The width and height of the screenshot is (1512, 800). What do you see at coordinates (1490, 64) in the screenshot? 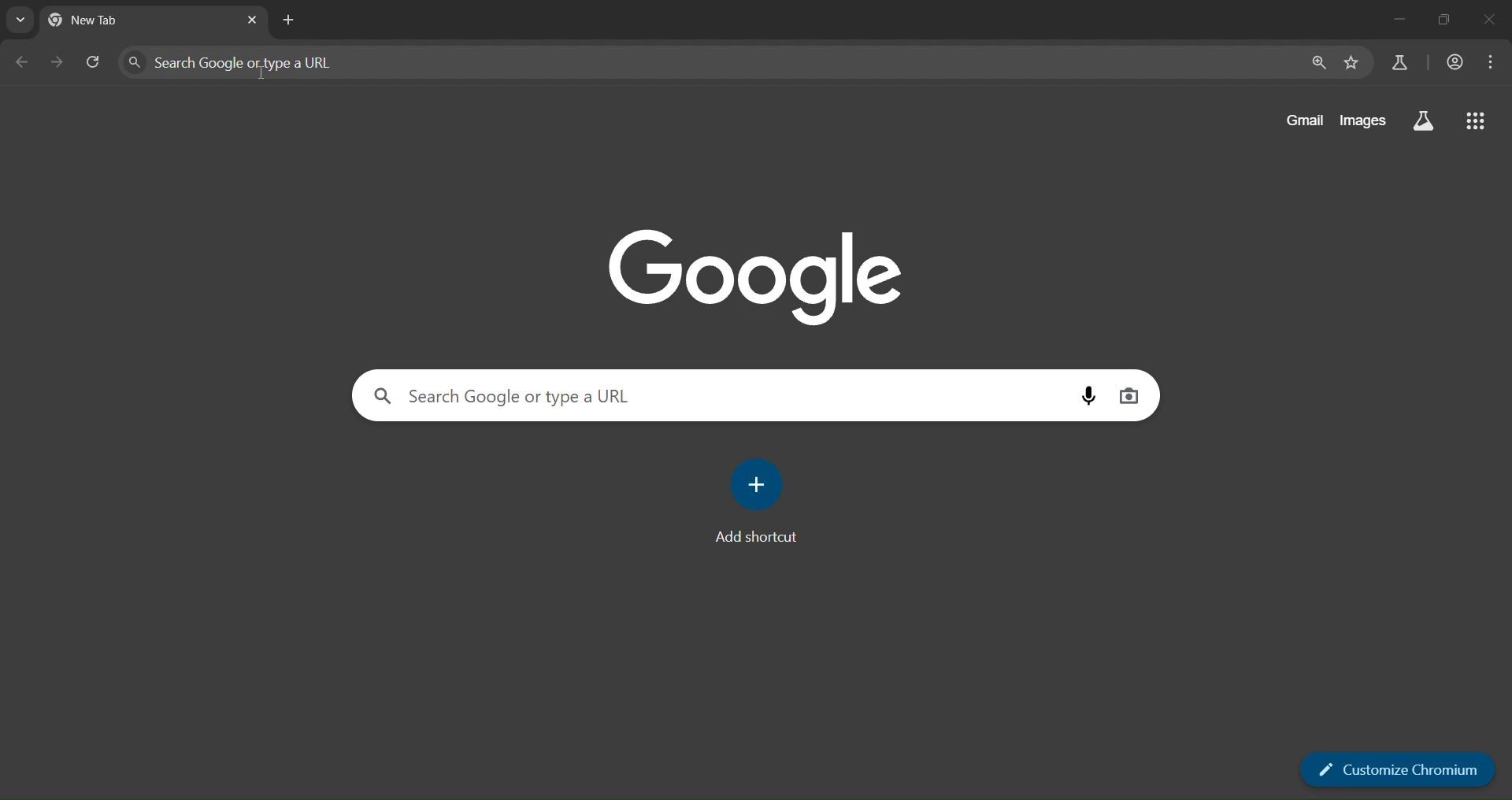
I see `menu` at bounding box center [1490, 64].